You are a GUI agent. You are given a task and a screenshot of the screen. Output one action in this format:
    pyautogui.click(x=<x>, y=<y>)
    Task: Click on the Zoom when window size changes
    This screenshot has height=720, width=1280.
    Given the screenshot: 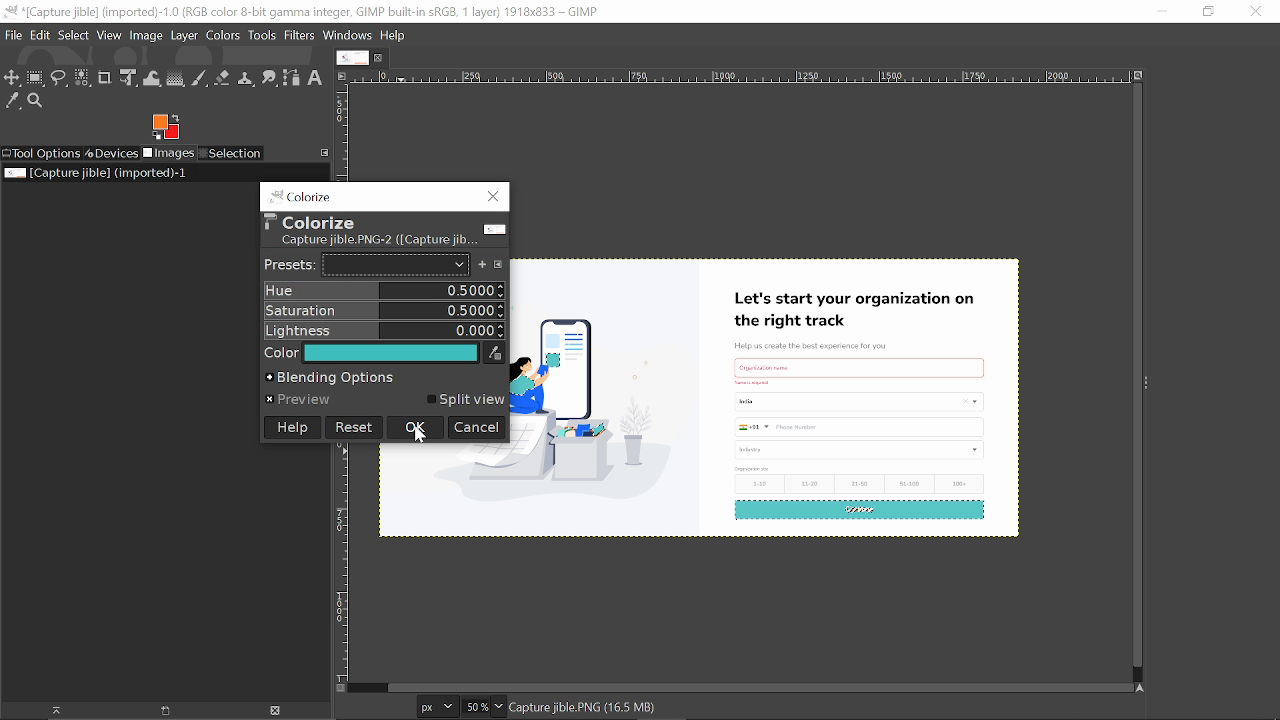 What is the action you would take?
    pyautogui.click(x=1136, y=77)
    